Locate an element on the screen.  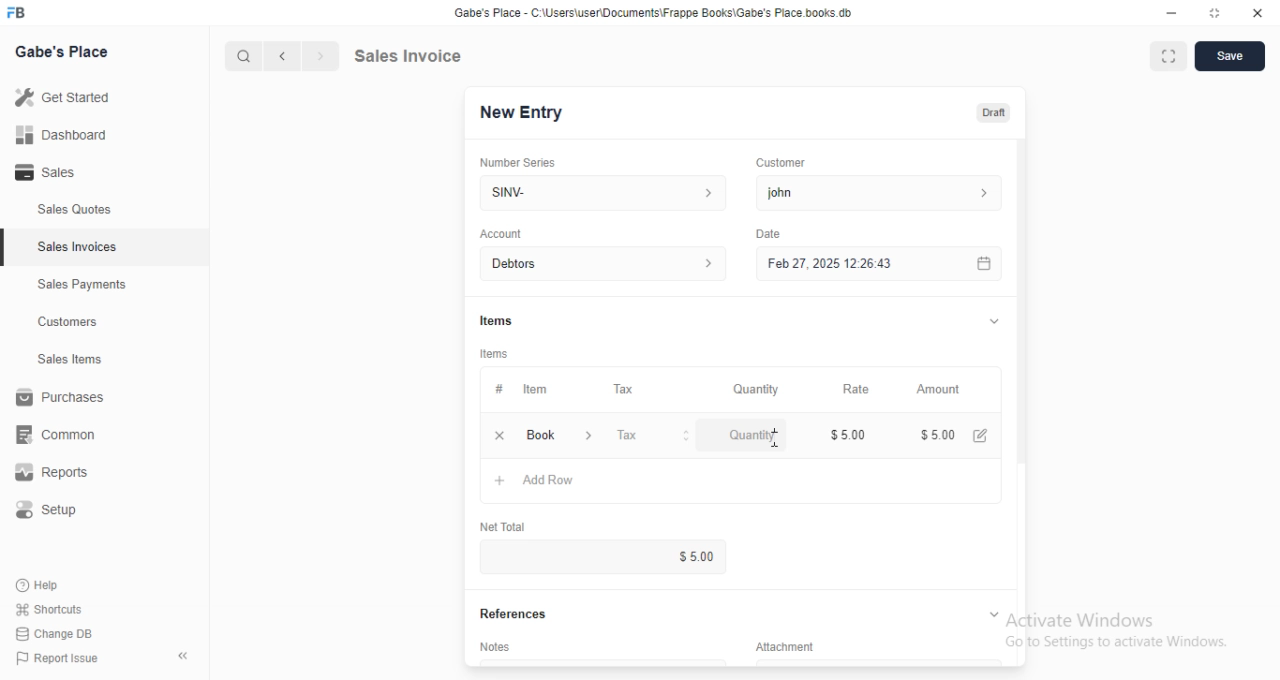
Customers is located at coordinates (67, 323).